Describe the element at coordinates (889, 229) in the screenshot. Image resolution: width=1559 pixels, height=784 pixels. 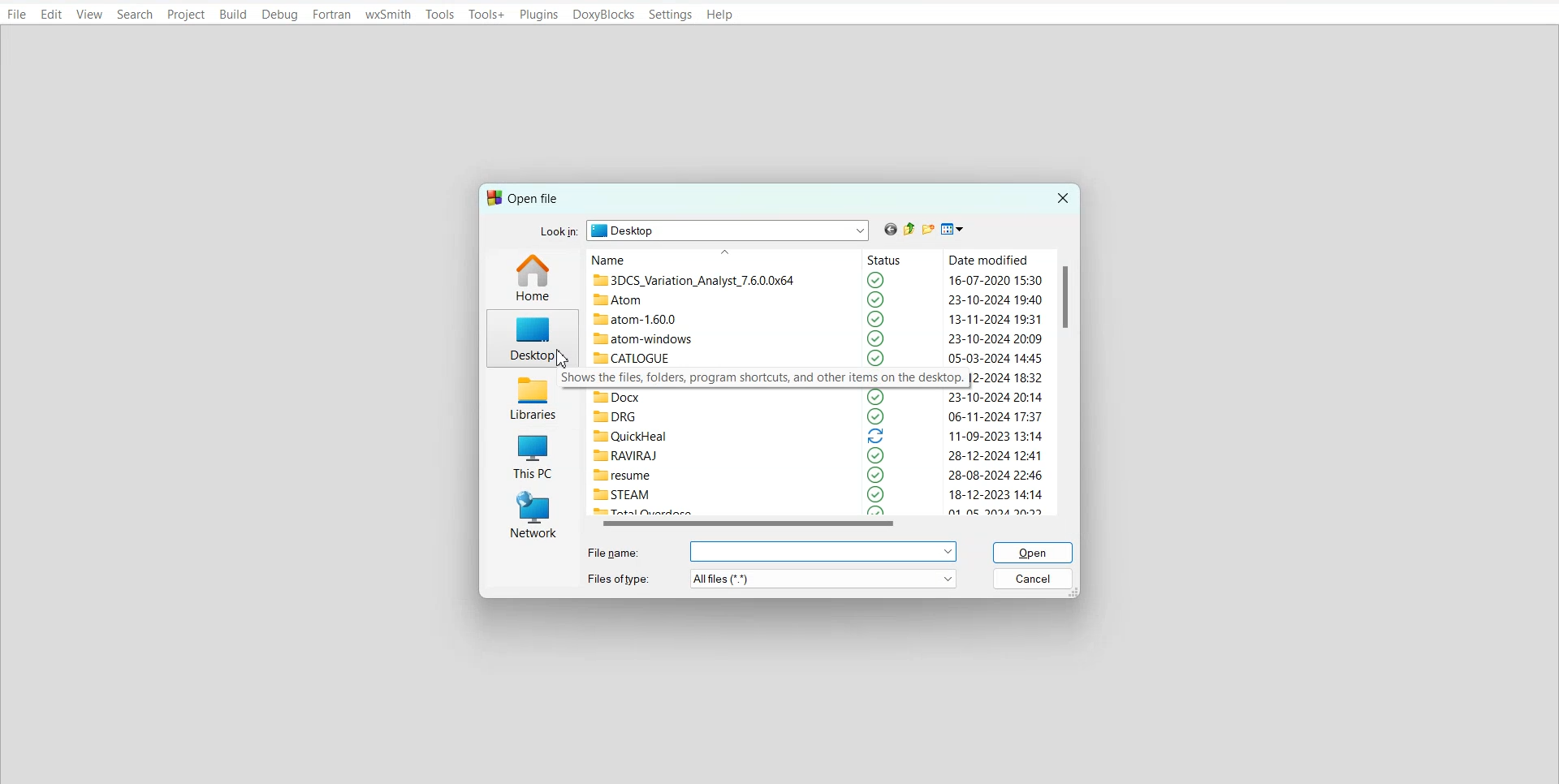
I see `Go back to previous file` at that location.